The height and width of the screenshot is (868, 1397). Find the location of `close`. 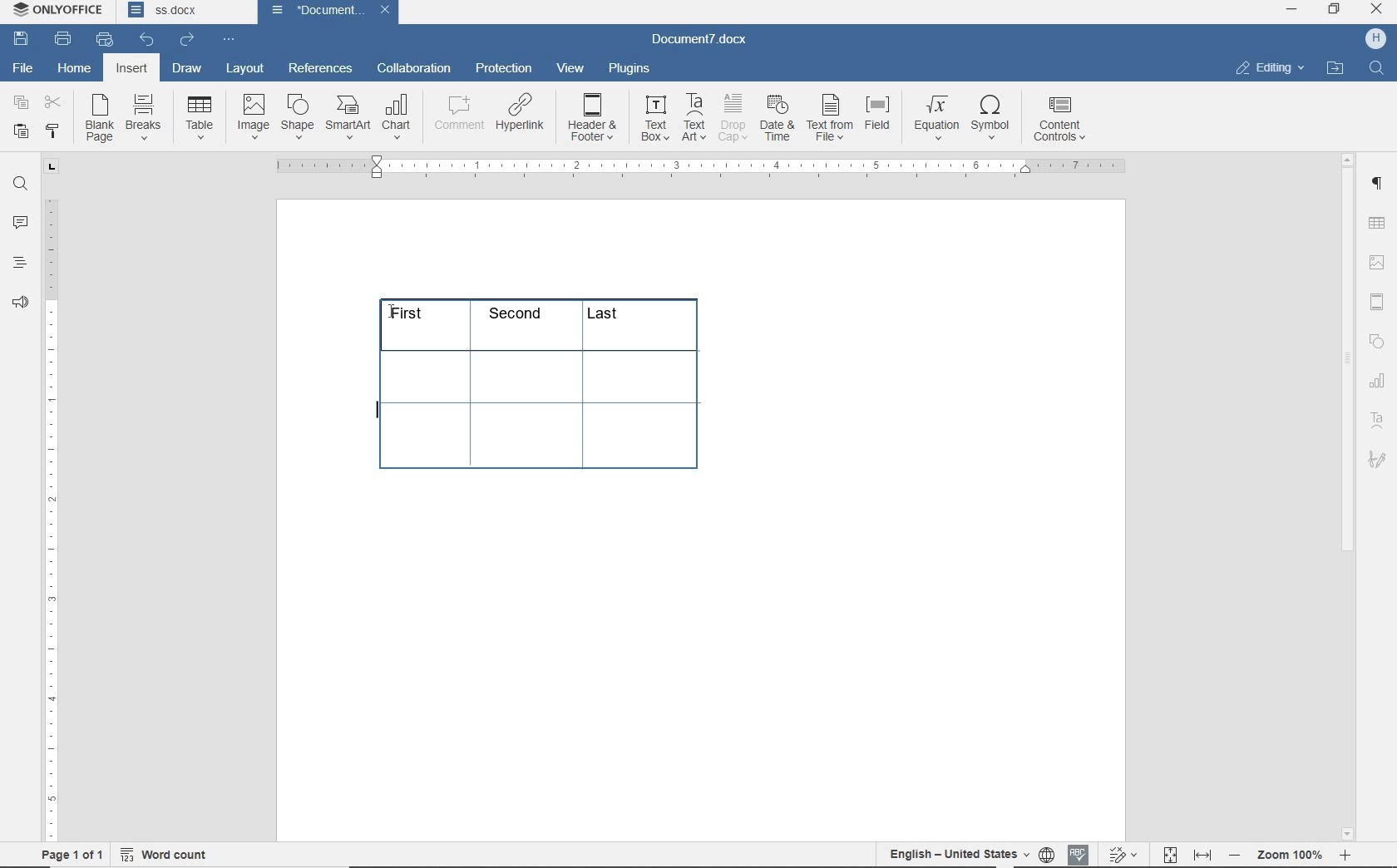

close is located at coordinates (385, 11).